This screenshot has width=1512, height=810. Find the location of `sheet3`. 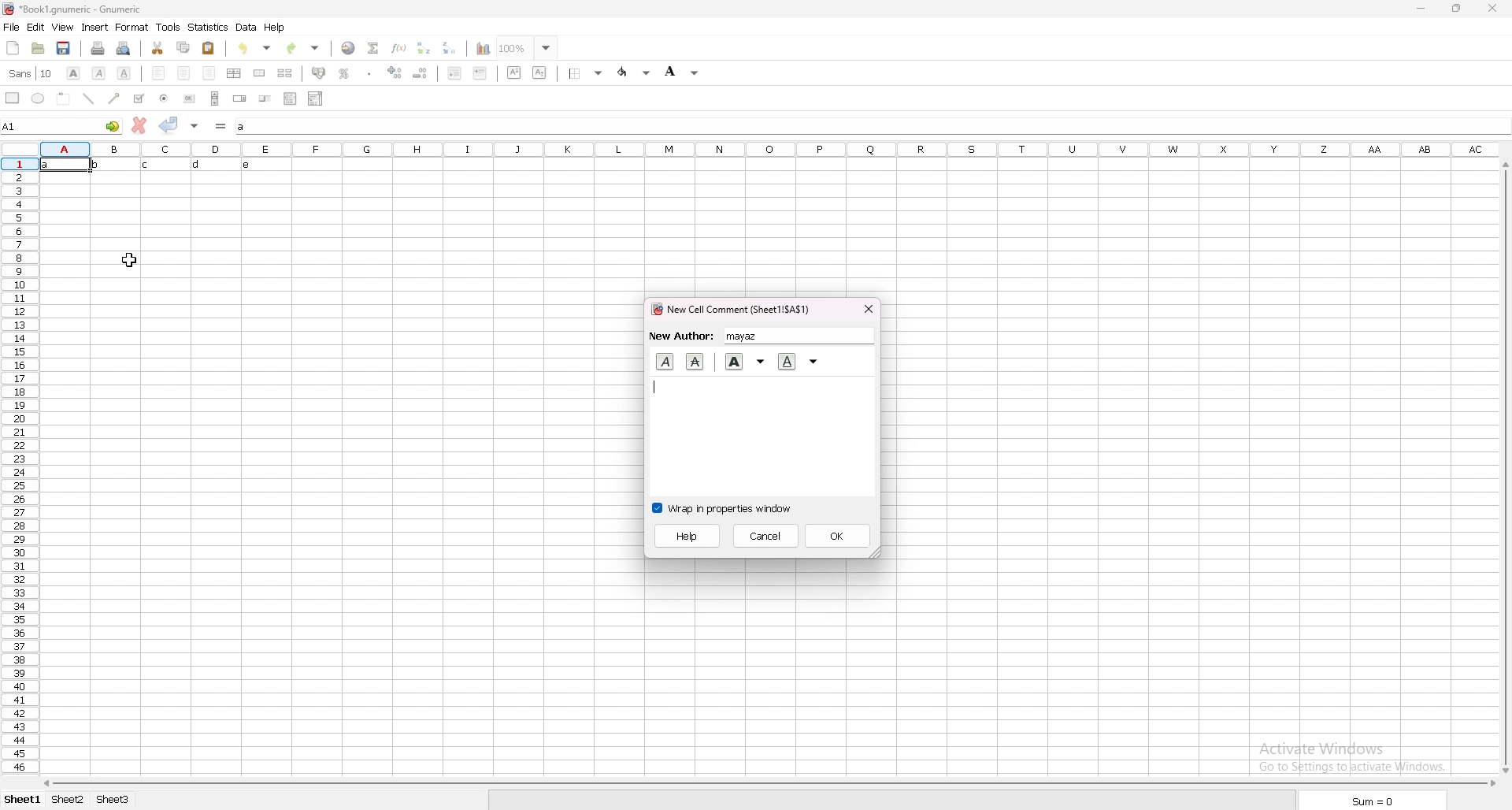

sheet3 is located at coordinates (118, 802).